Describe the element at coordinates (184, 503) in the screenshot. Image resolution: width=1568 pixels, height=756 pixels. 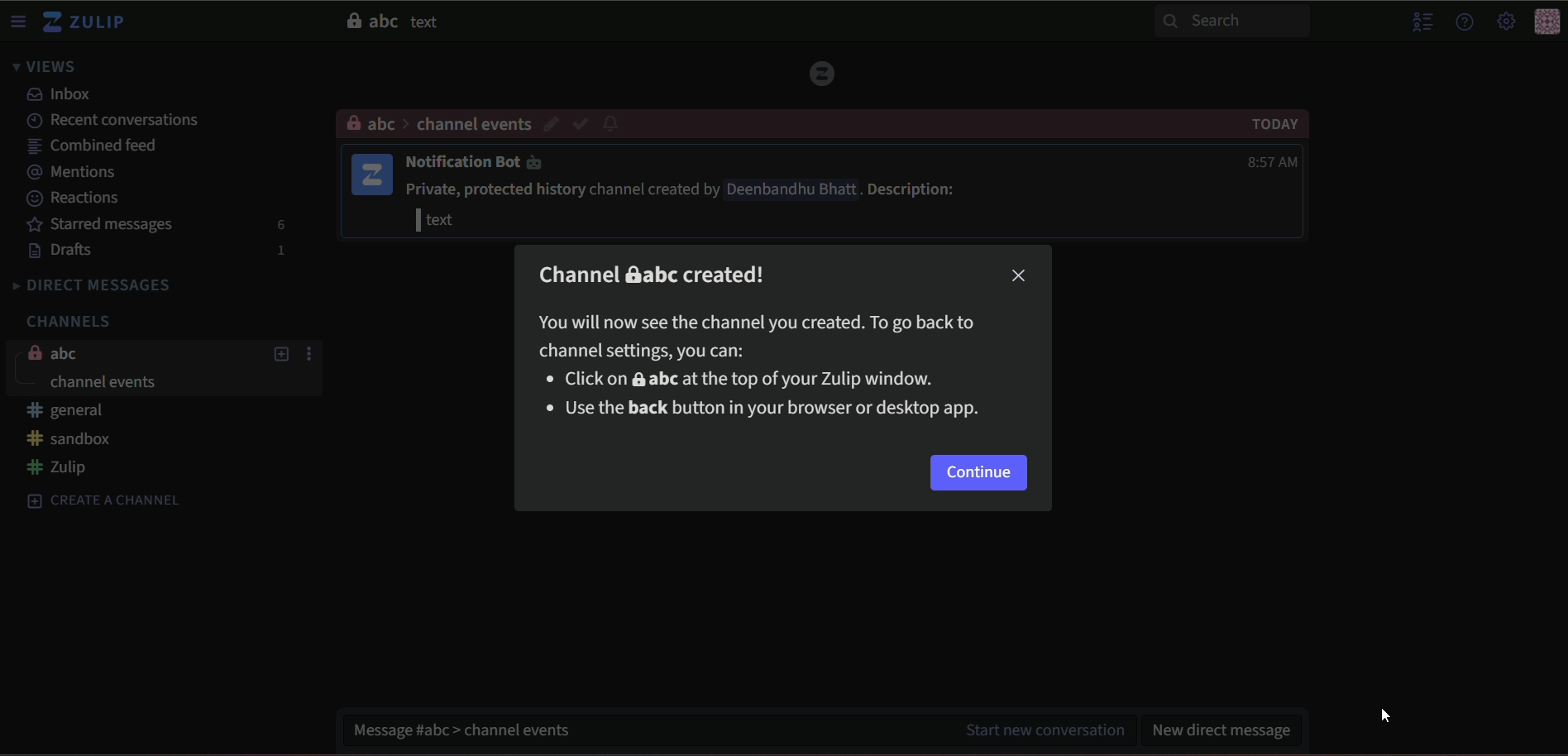
I see `create a channel` at that location.